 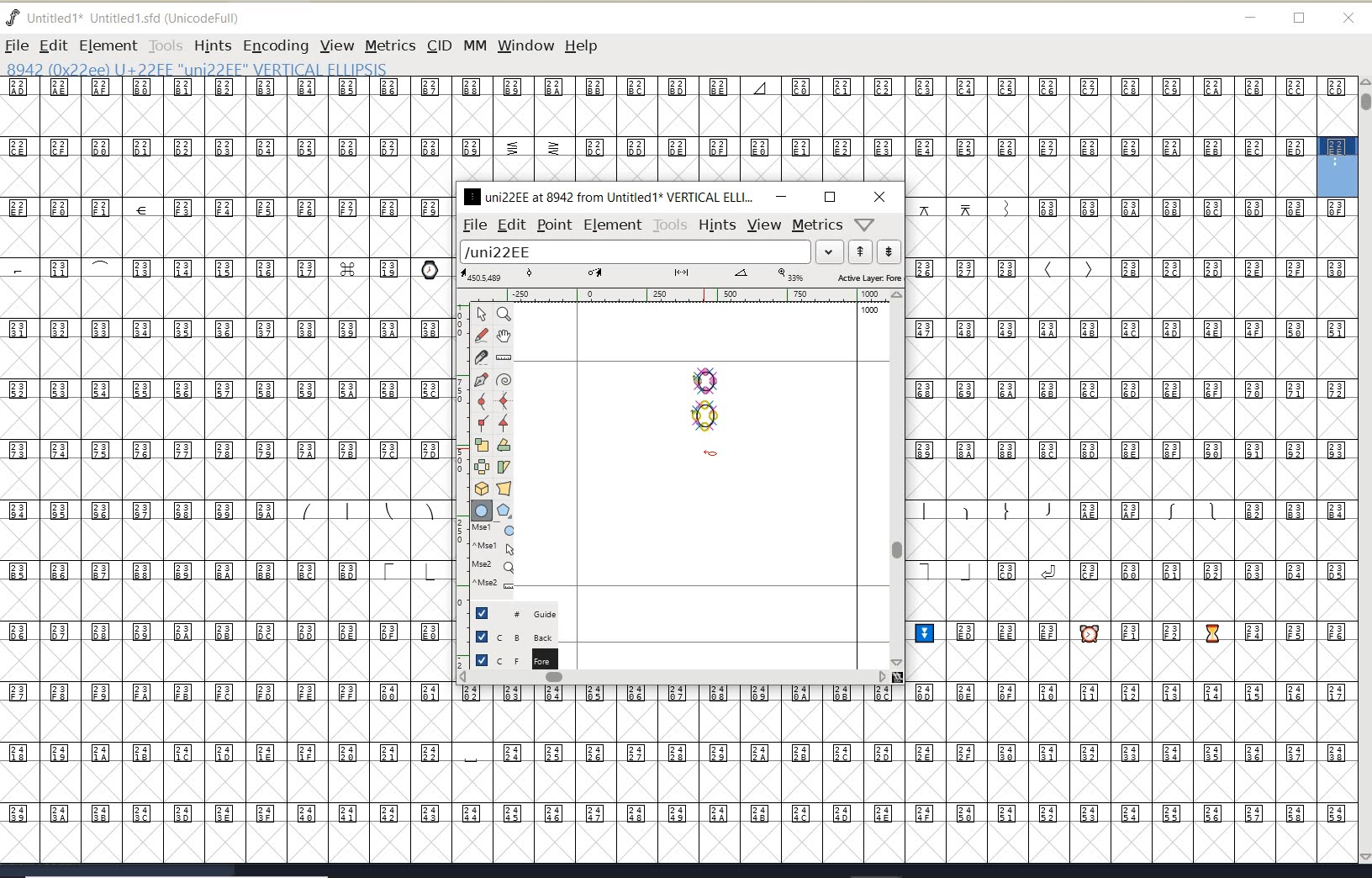 What do you see at coordinates (716, 225) in the screenshot?
I see `hints` at bounding box center [716, 225].